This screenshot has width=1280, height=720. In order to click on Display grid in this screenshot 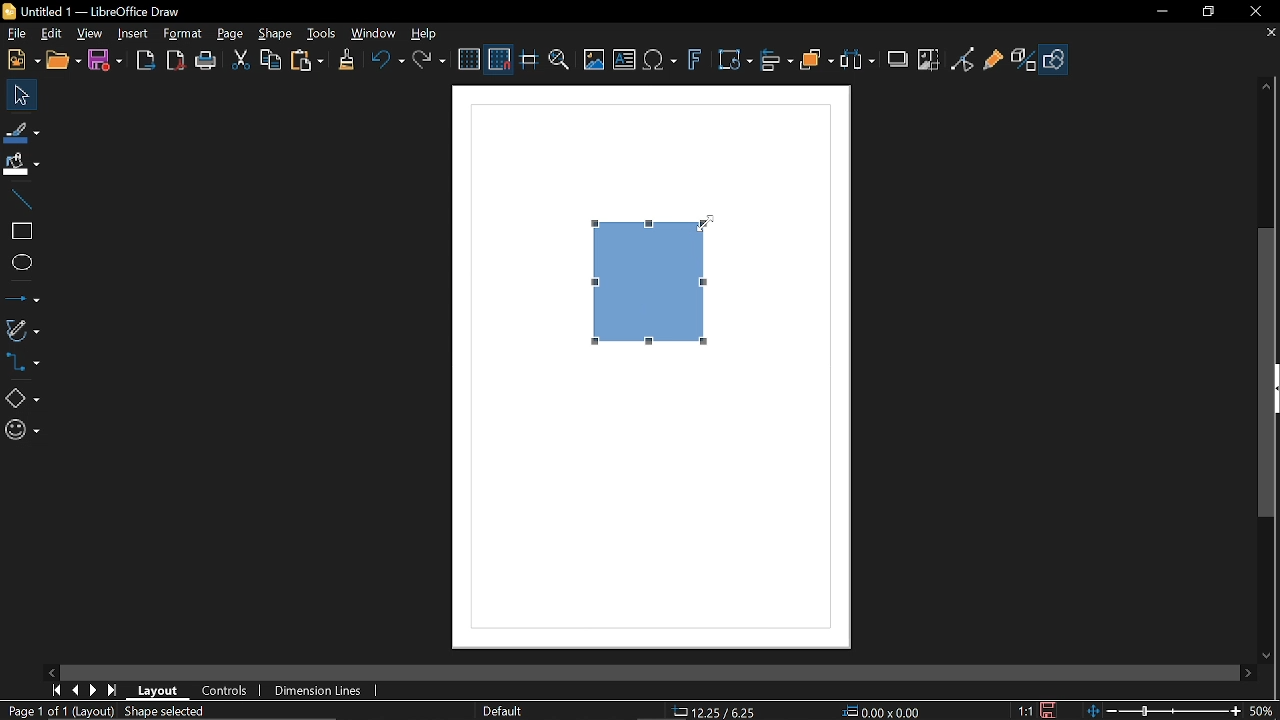, I will do `click(470, 60)`.